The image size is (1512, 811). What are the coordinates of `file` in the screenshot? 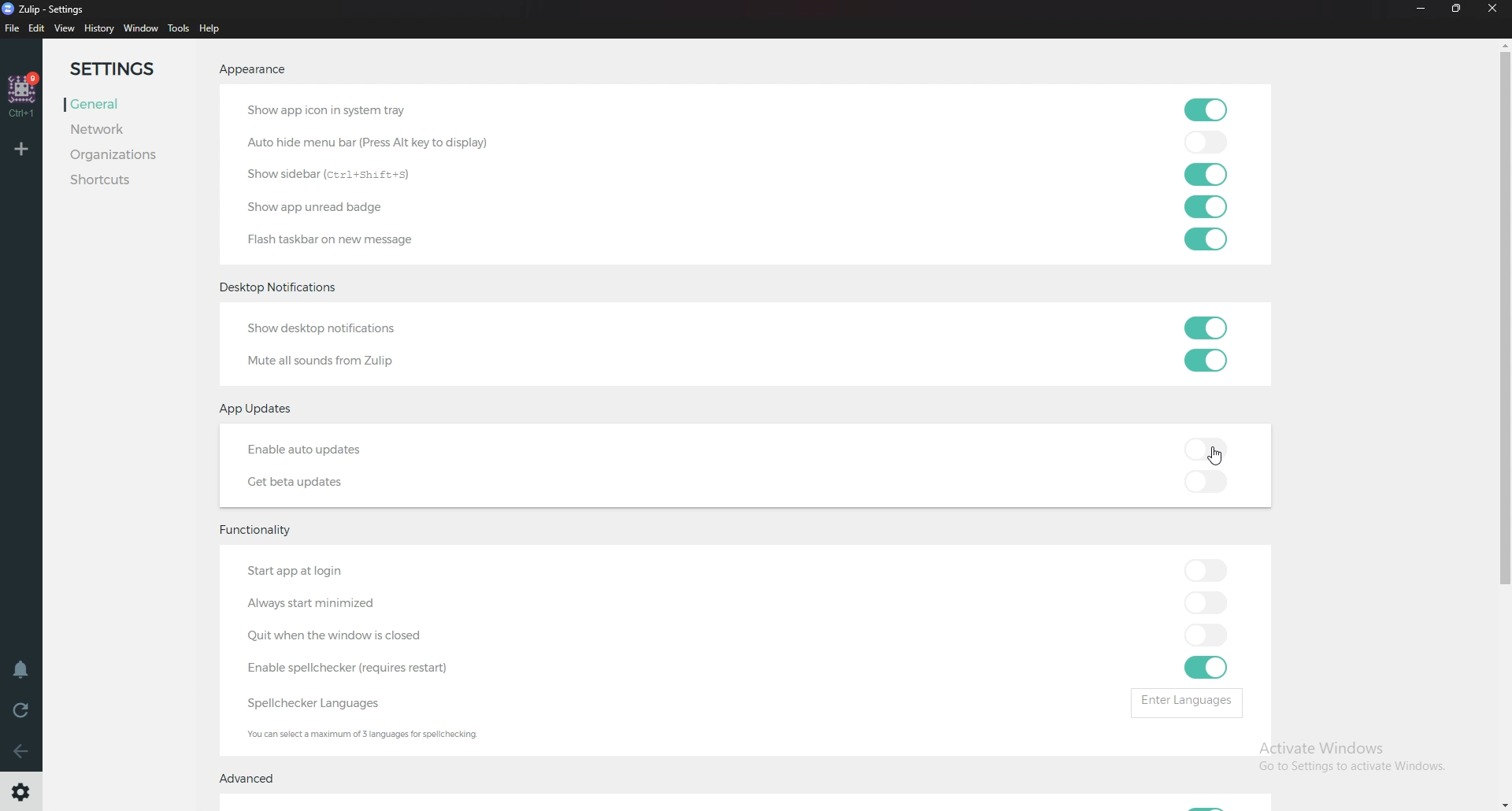 It's located at (12, 28).